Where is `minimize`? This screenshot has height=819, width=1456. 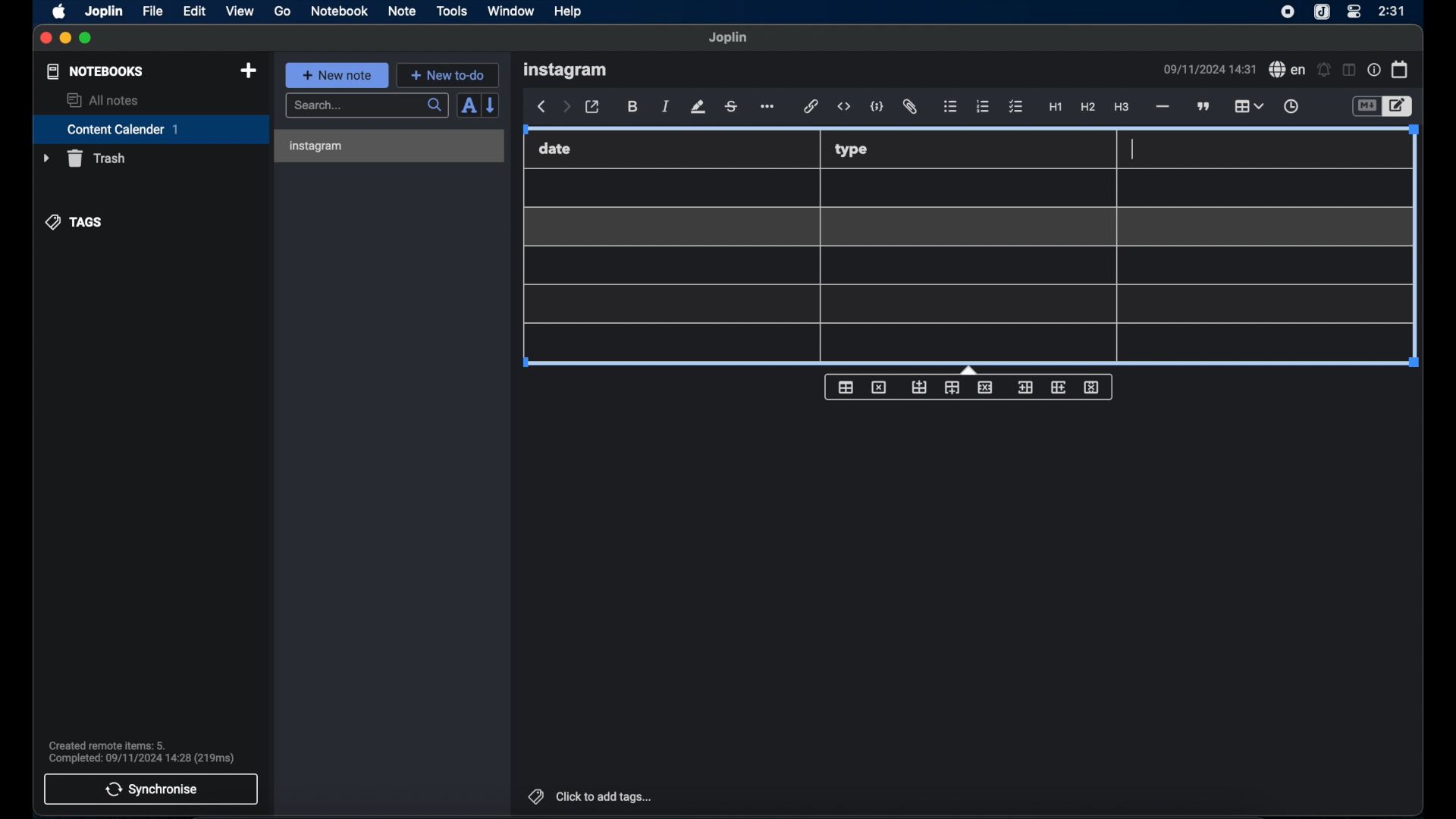
minimize is located at coordinates (64, 39).